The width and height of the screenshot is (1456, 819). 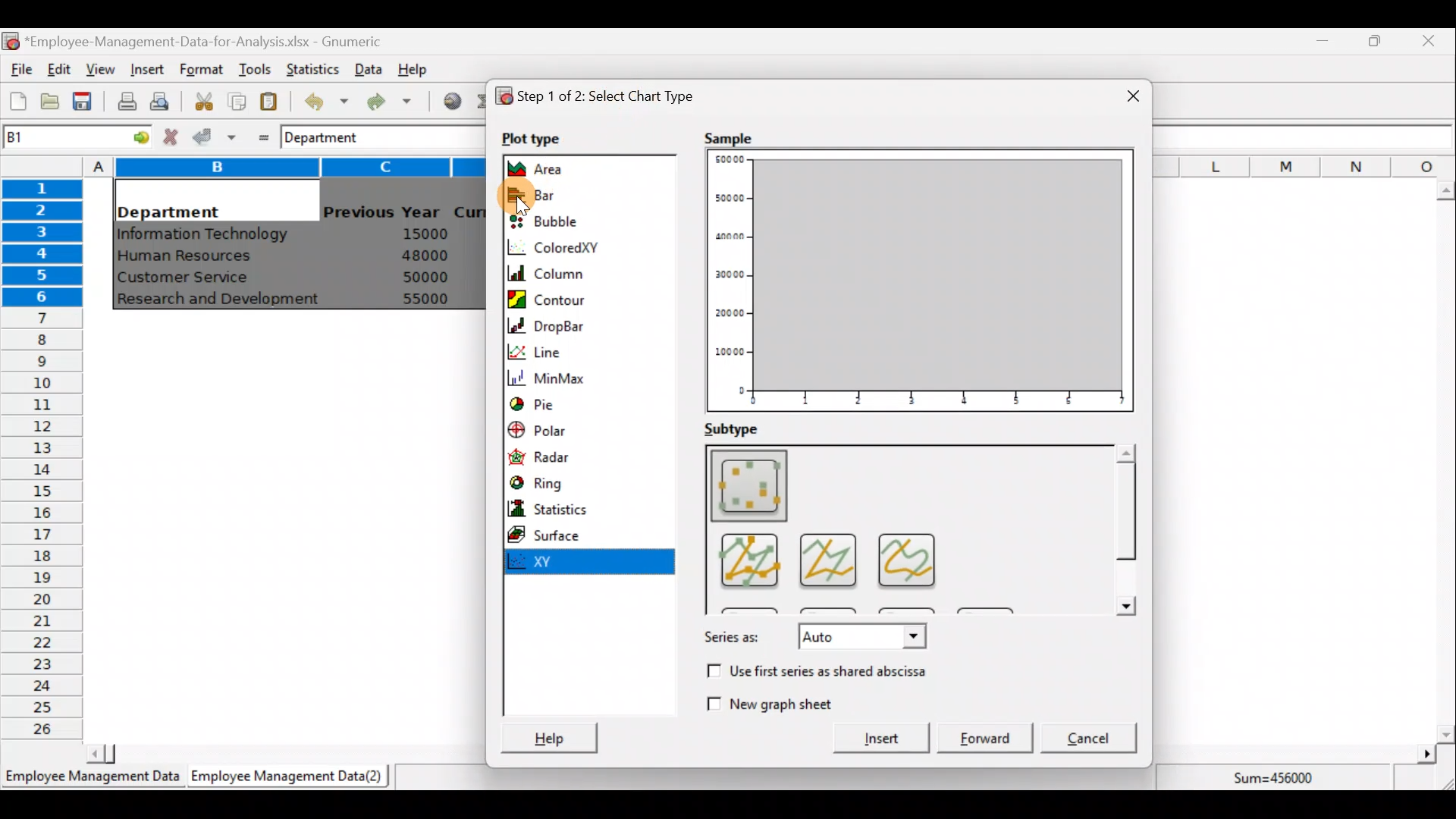 I want to click on Help, so click(x=547, y=736).